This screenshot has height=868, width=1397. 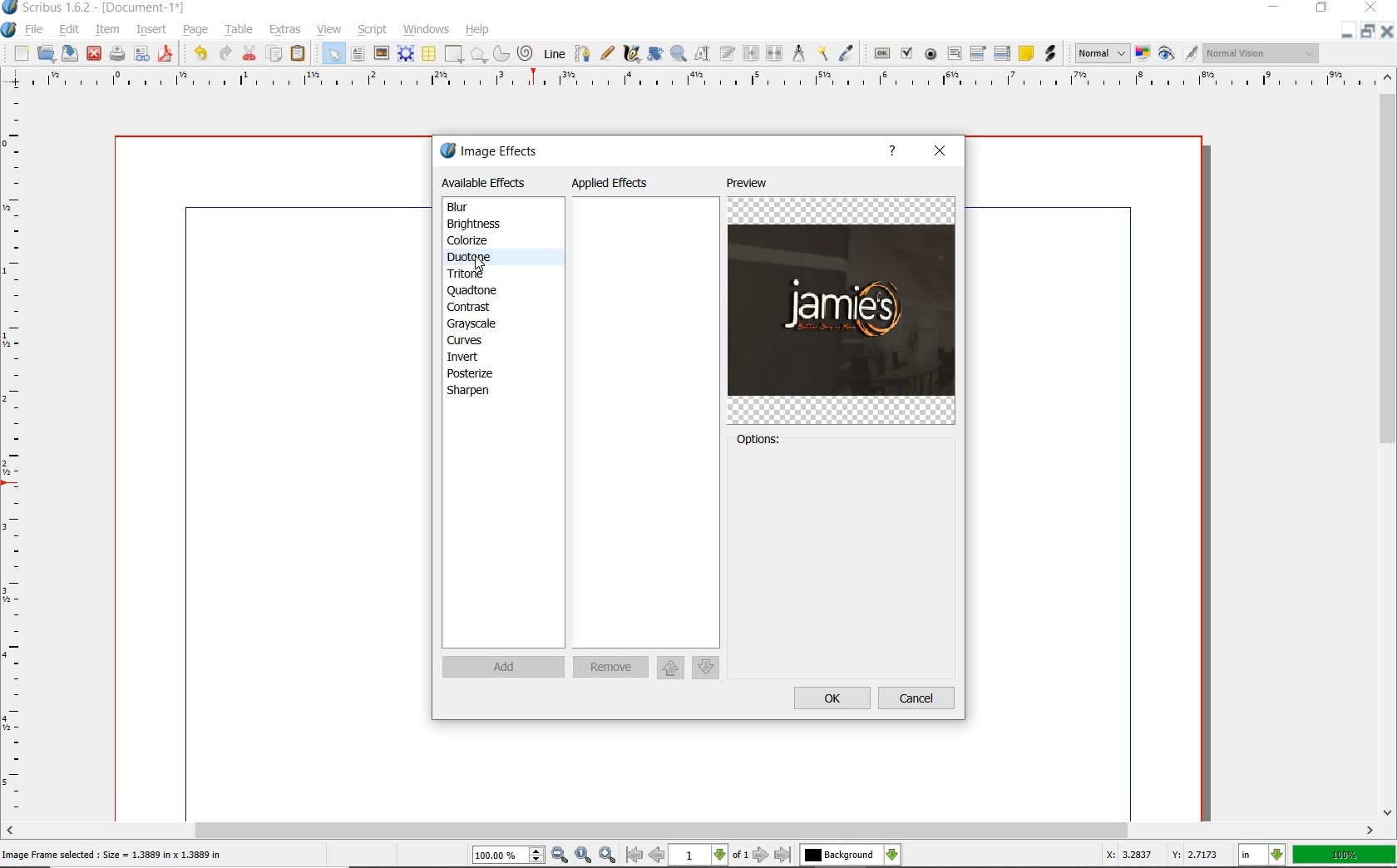 I want to click on pdf radio button, so click(x=932, y=54).